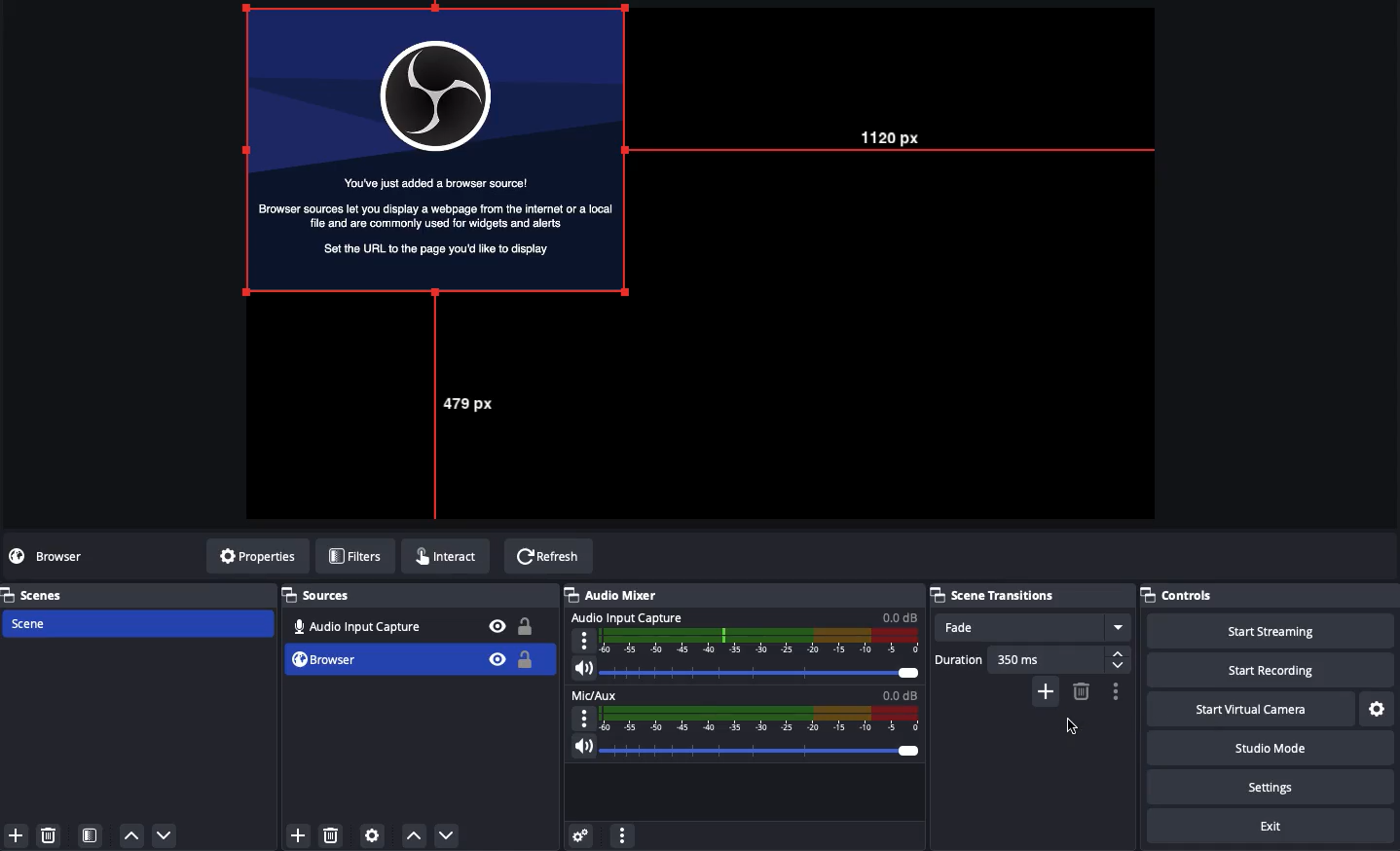 This screenshot has width=1400, height=851. I want to click on more, so click(623, 836).